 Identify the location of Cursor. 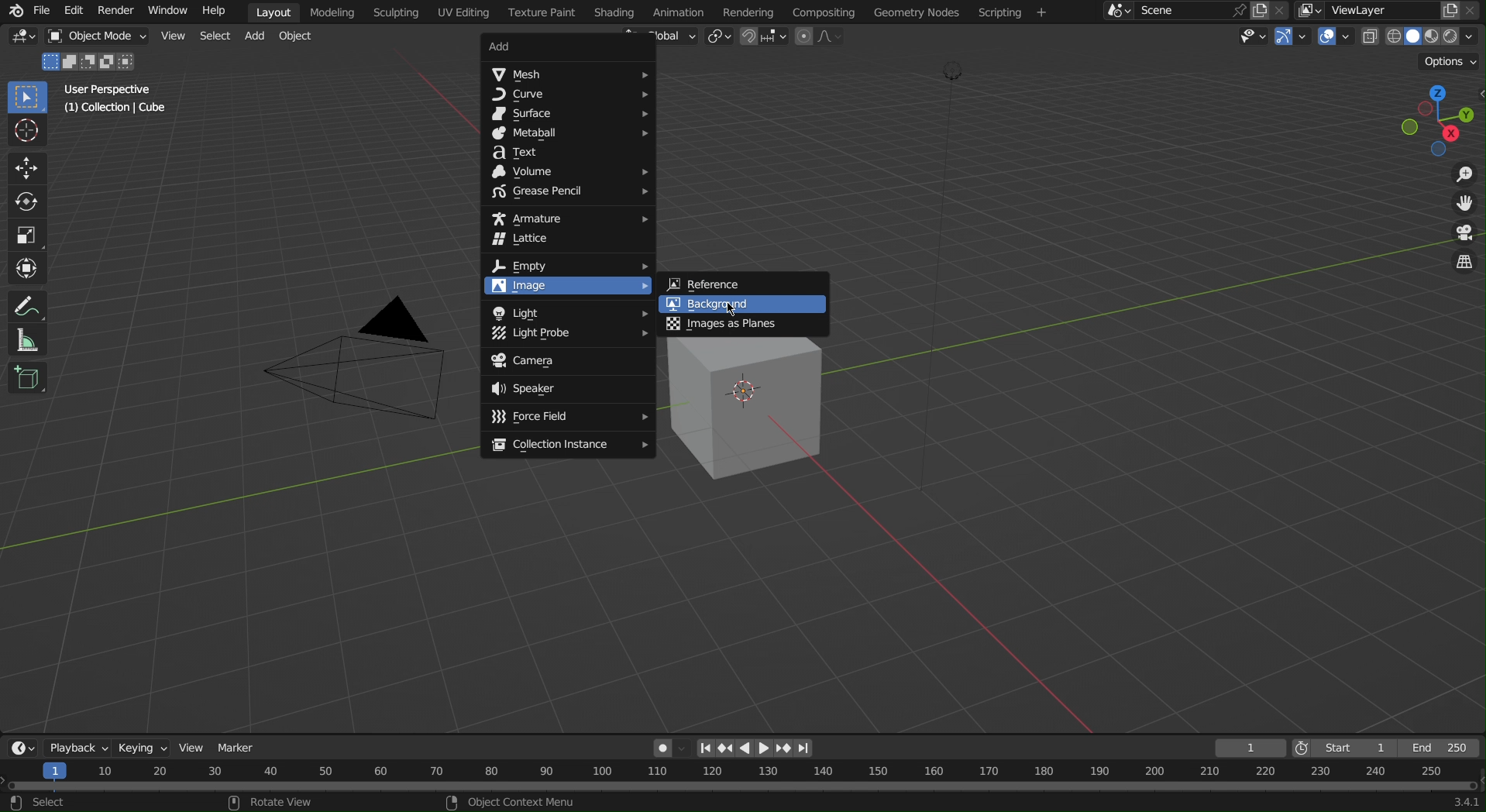
(25, 133).